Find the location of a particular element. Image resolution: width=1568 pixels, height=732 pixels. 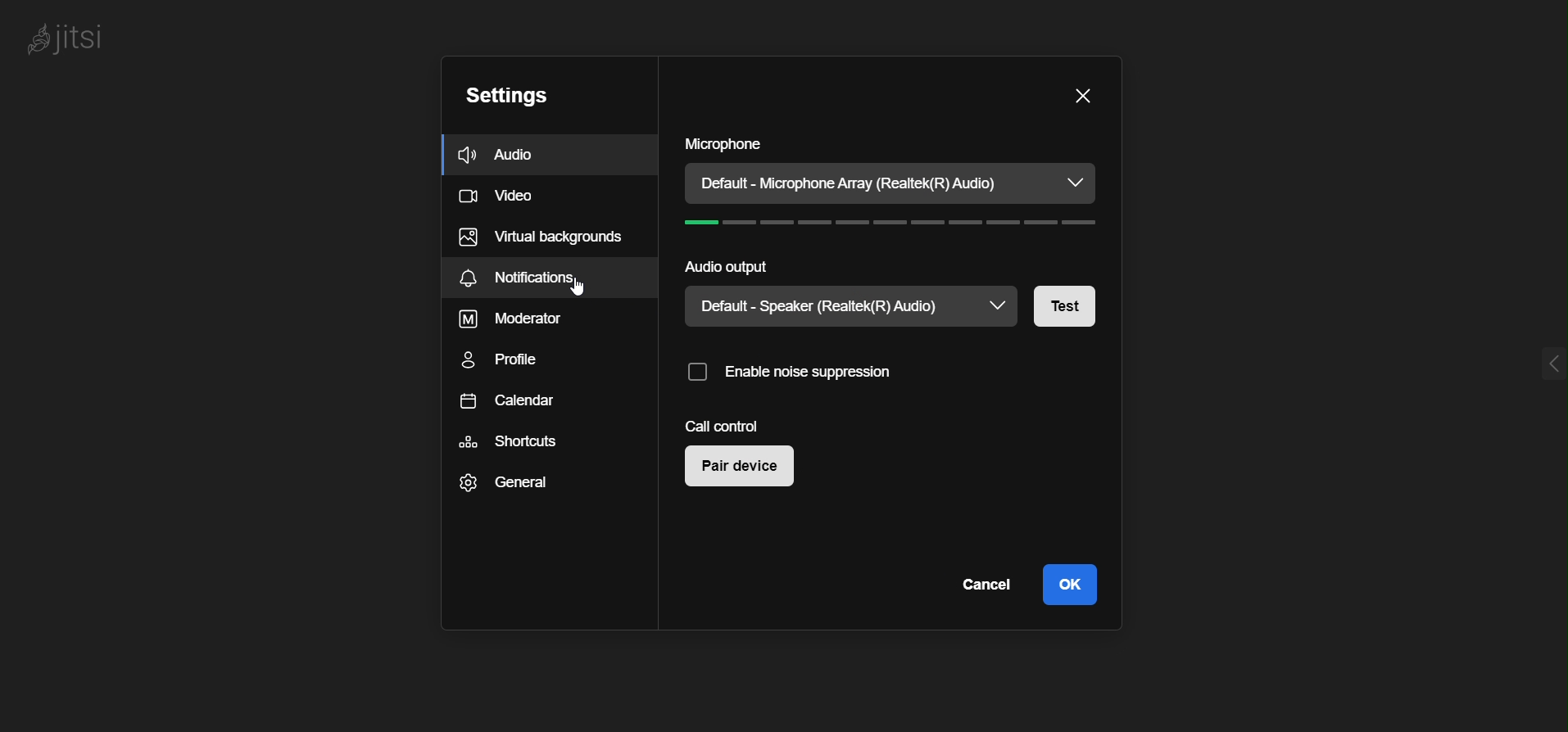

enable noise suppression is located at coordinates (791, 373).